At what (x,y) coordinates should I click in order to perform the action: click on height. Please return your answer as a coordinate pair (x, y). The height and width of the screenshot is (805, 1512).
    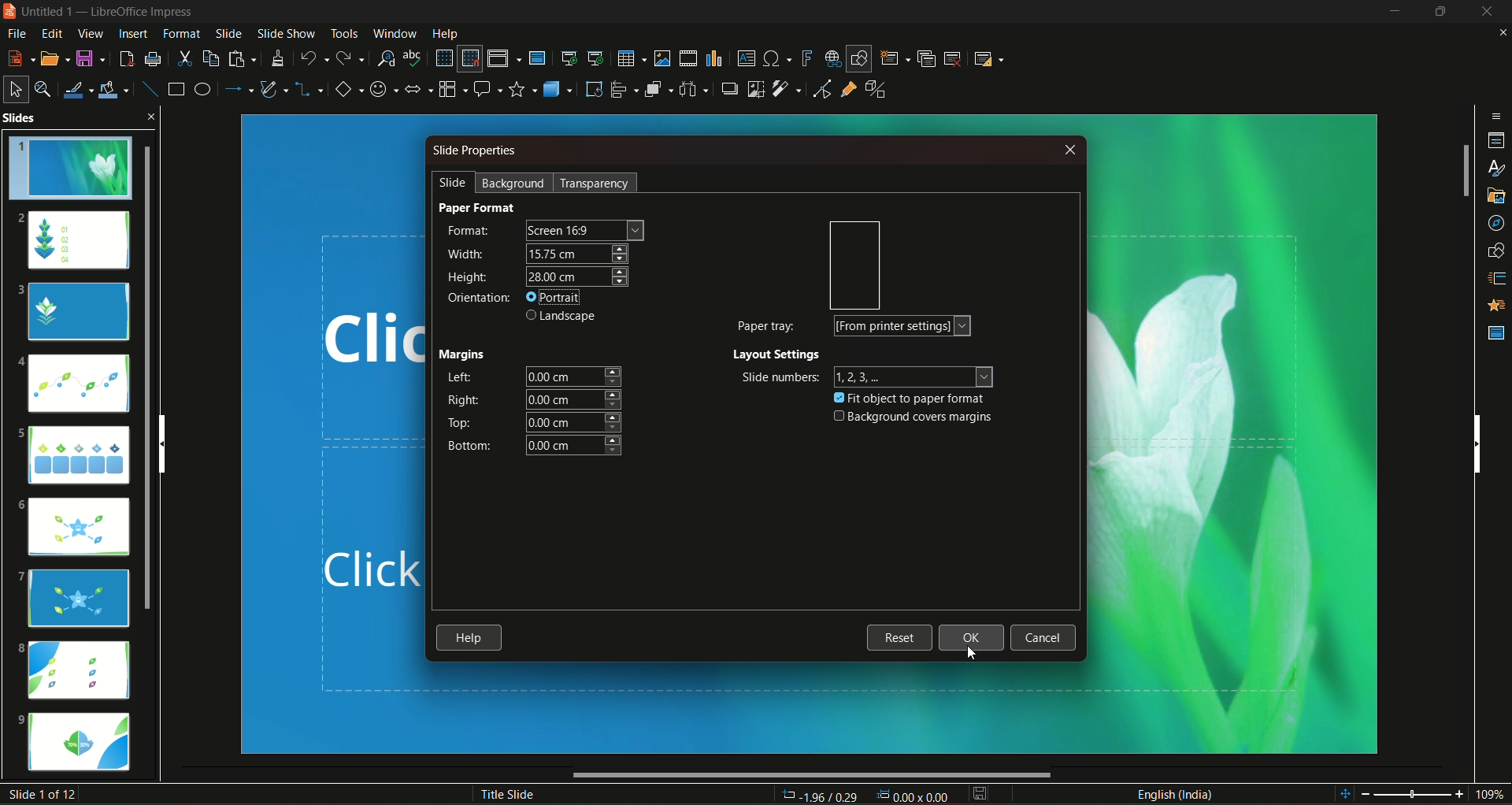
    Looking at the image, I should click on (469, 278).